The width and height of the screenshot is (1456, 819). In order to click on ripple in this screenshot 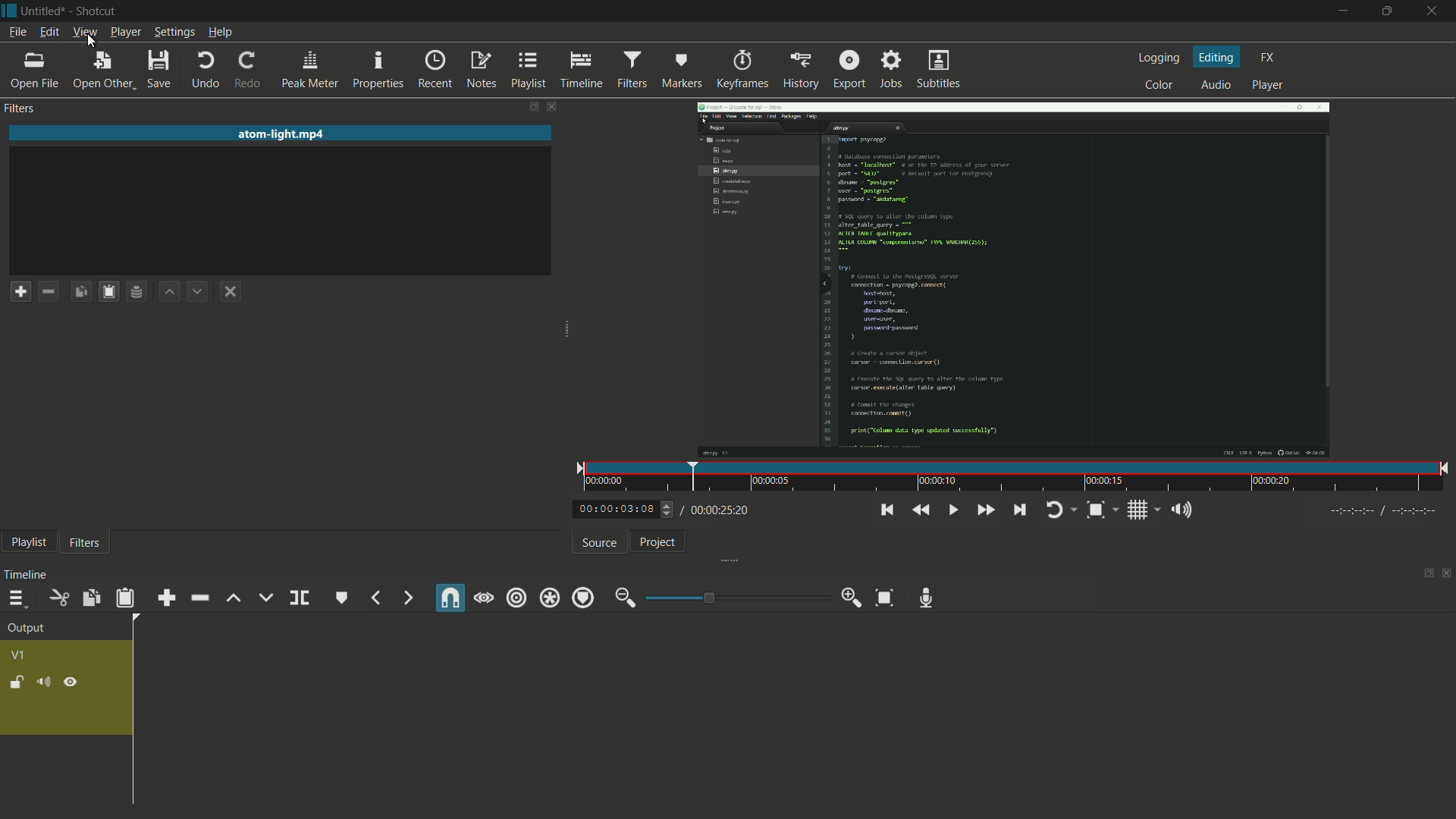, I will do `click(516, 598)`.